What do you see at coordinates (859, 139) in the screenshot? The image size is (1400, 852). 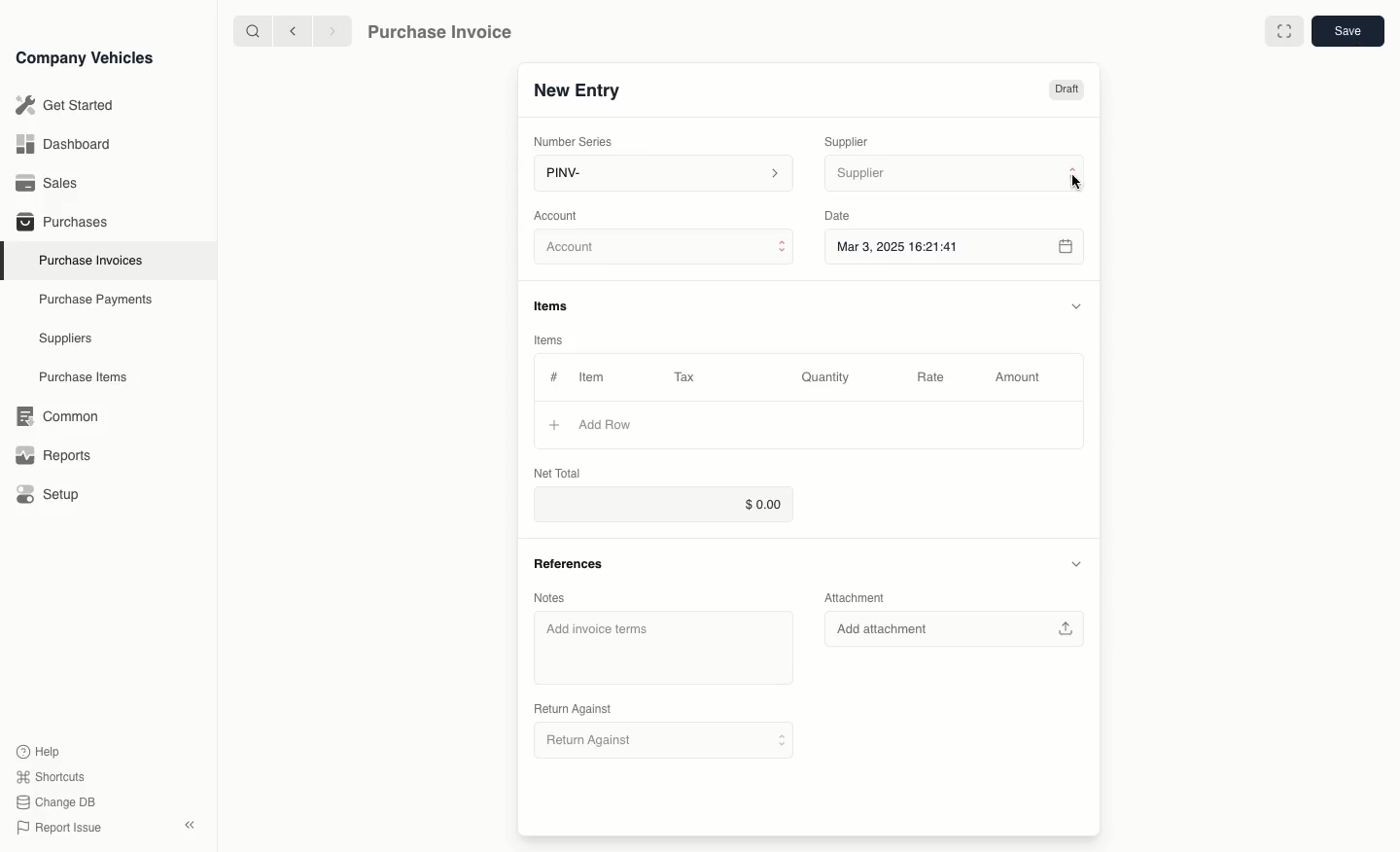 I see `Supplier` at bounding box center [859, 139].